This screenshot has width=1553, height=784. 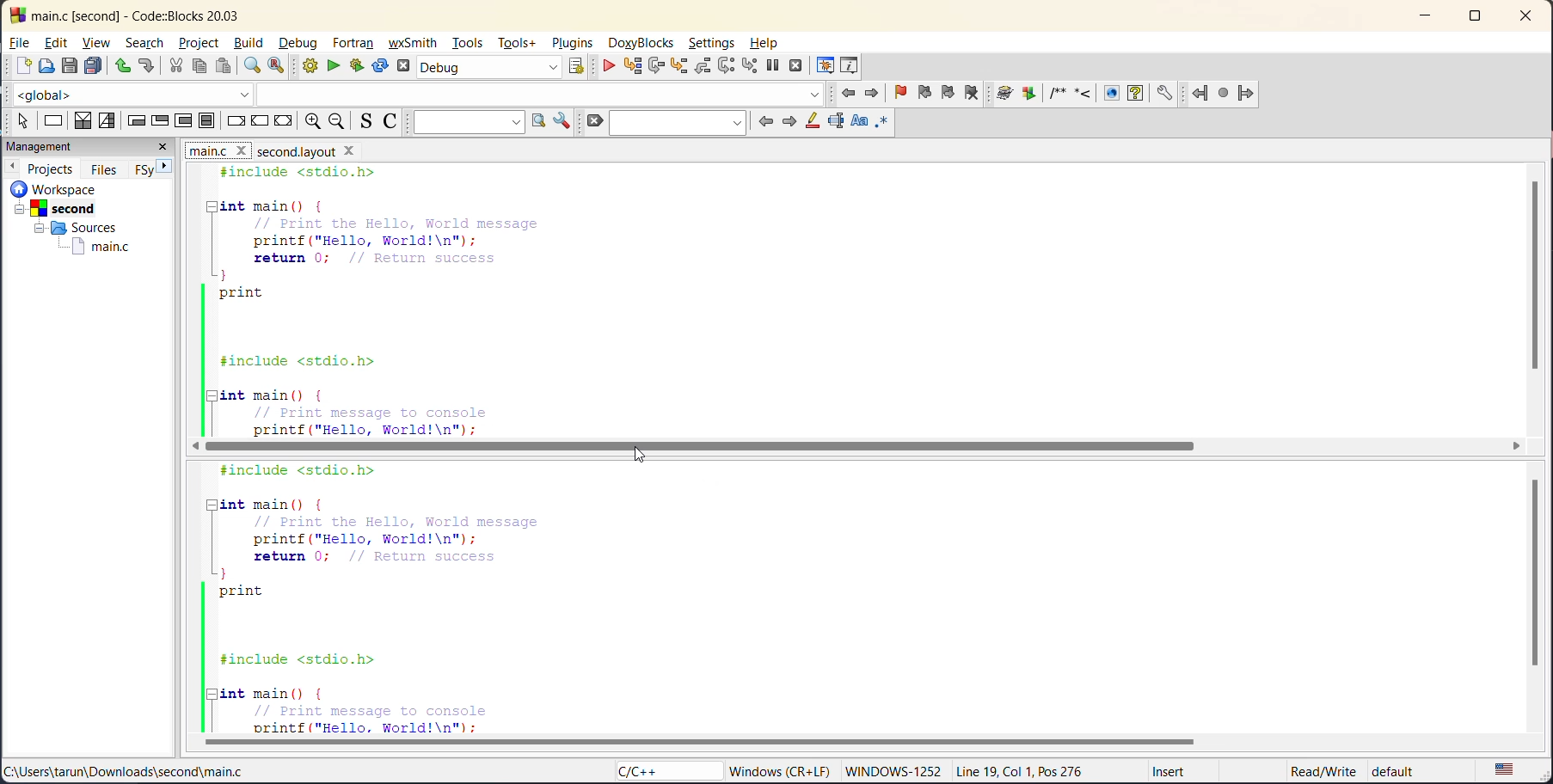 I want to click on open, so click(x=44, y=65).